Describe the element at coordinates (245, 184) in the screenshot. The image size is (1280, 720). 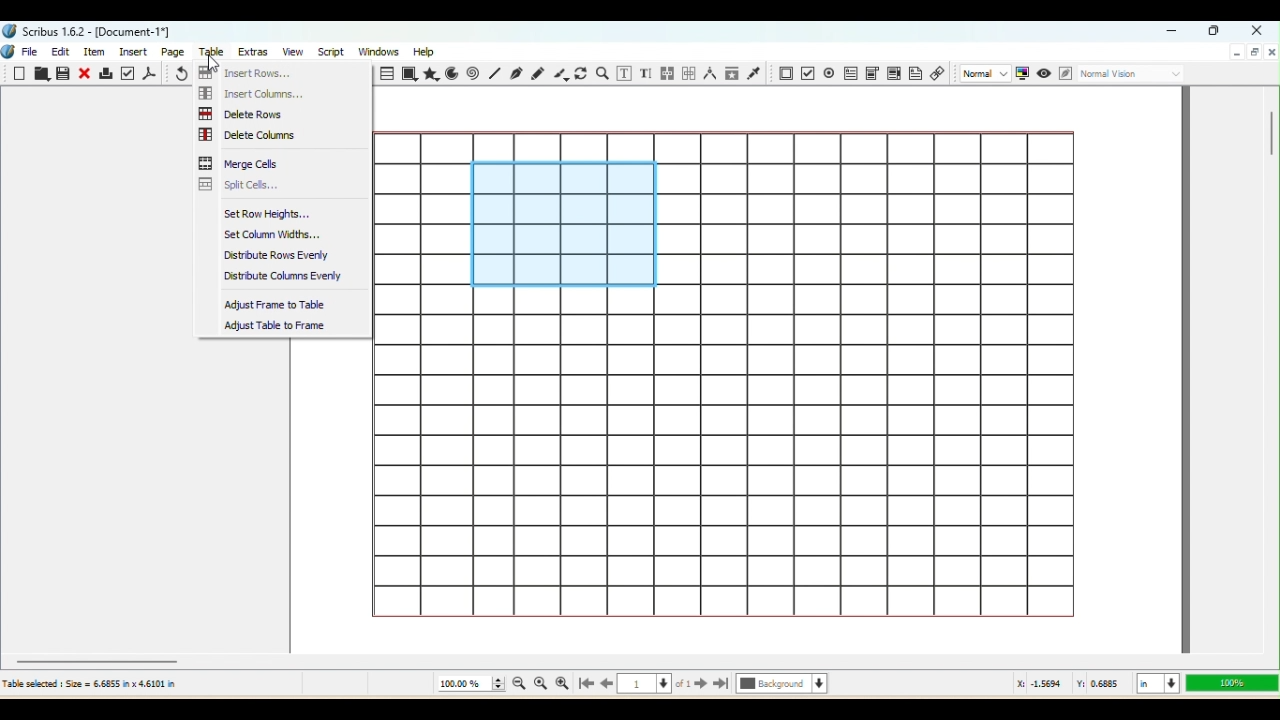
I see `Split cells` at that location.